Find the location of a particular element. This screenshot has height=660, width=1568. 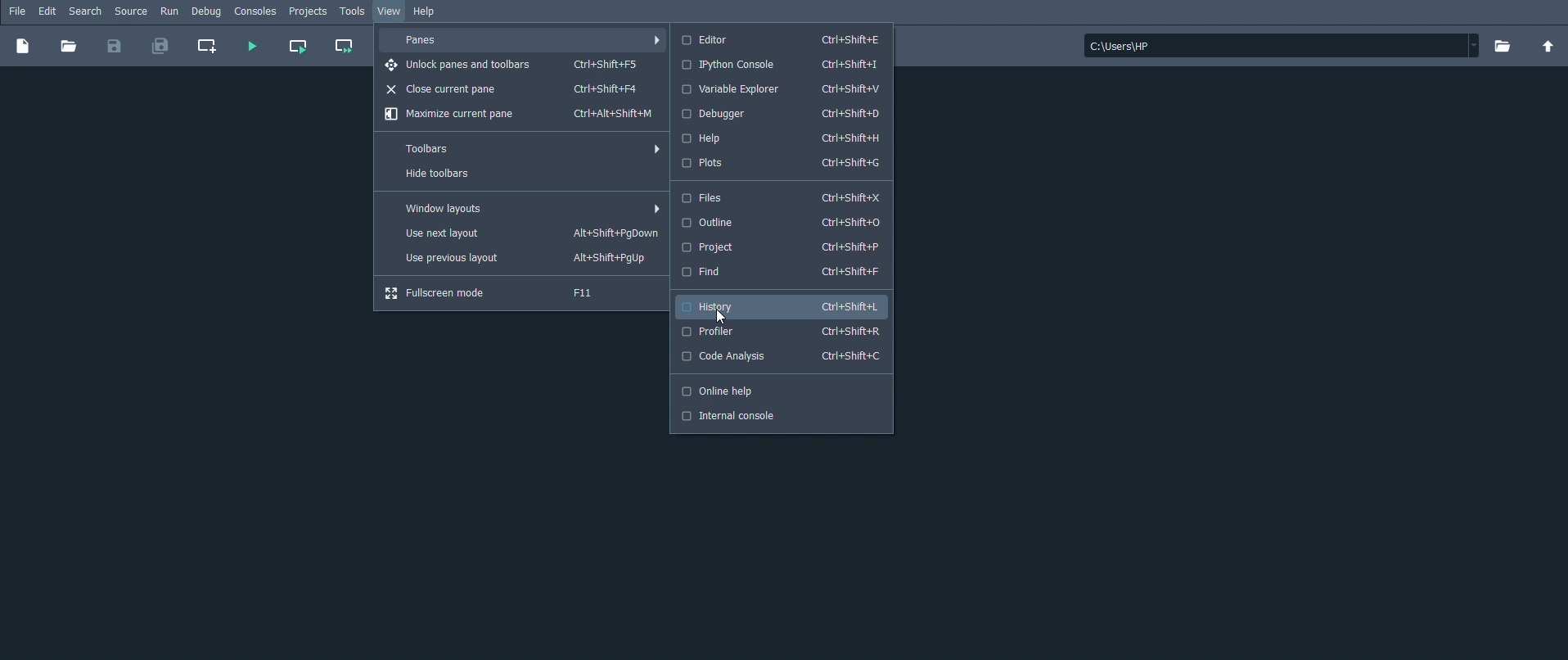

Tools is located at coordinates (354, 12).